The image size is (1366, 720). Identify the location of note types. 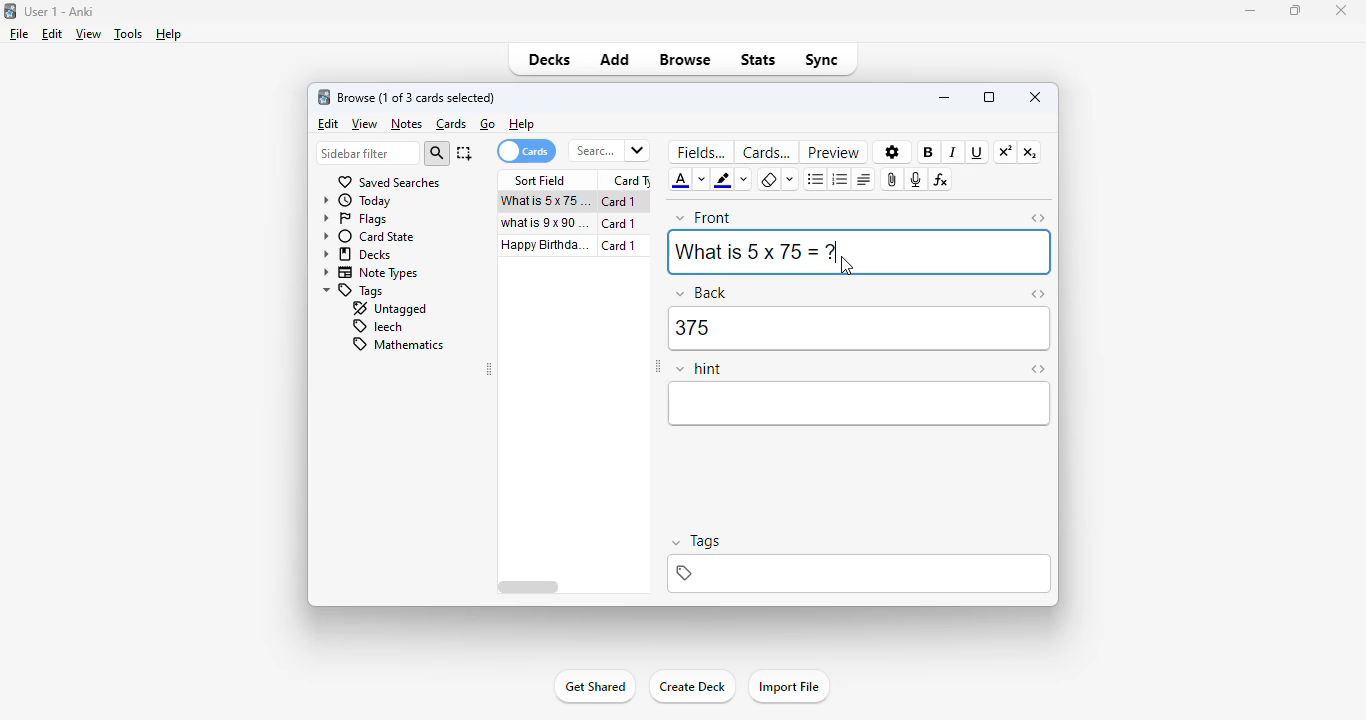
(368, 273).